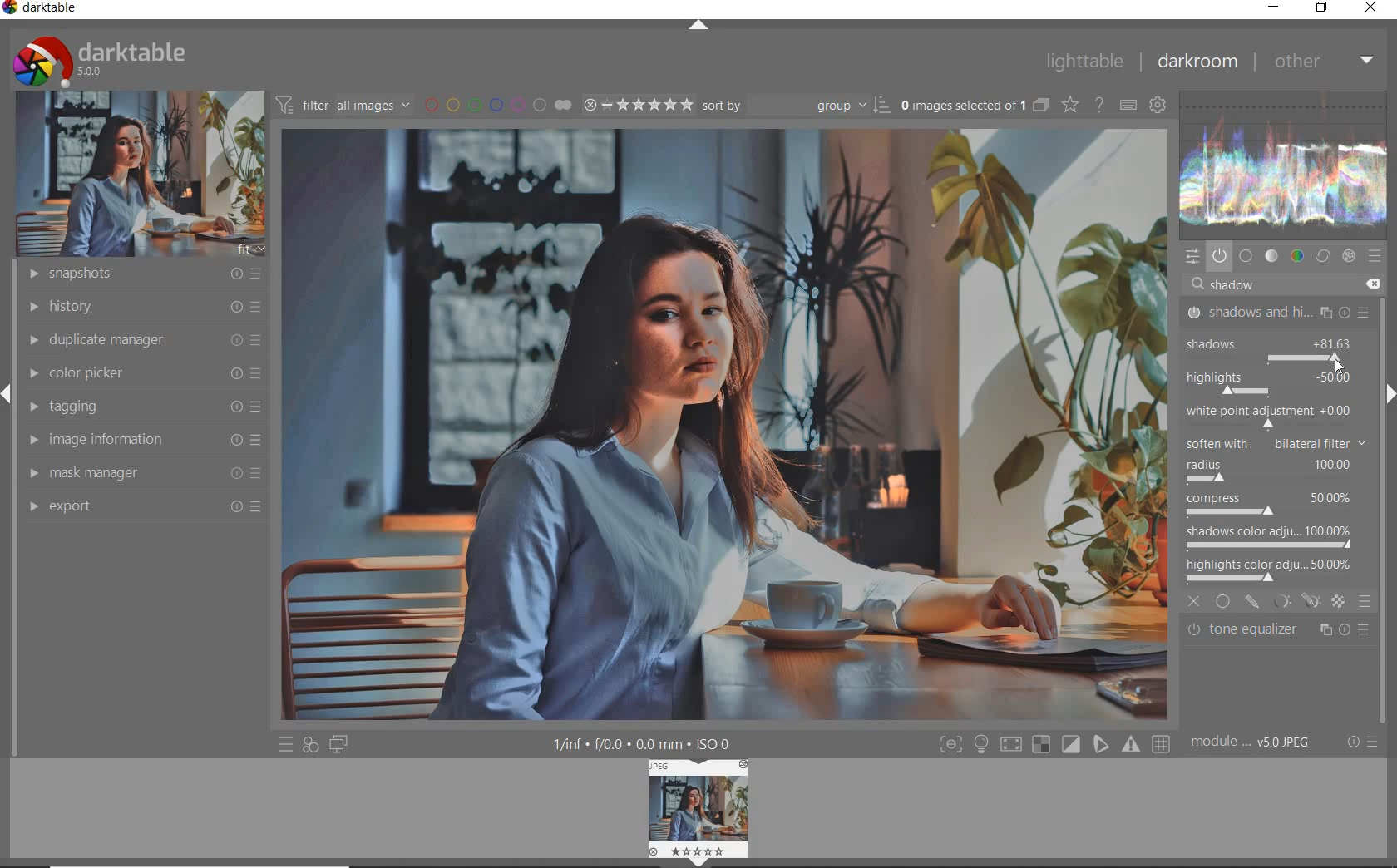 This screenshot has height=868, width=1397. Describe the element at coordinates (343, 104) in the screenshot. I see `filter all images` at that location.